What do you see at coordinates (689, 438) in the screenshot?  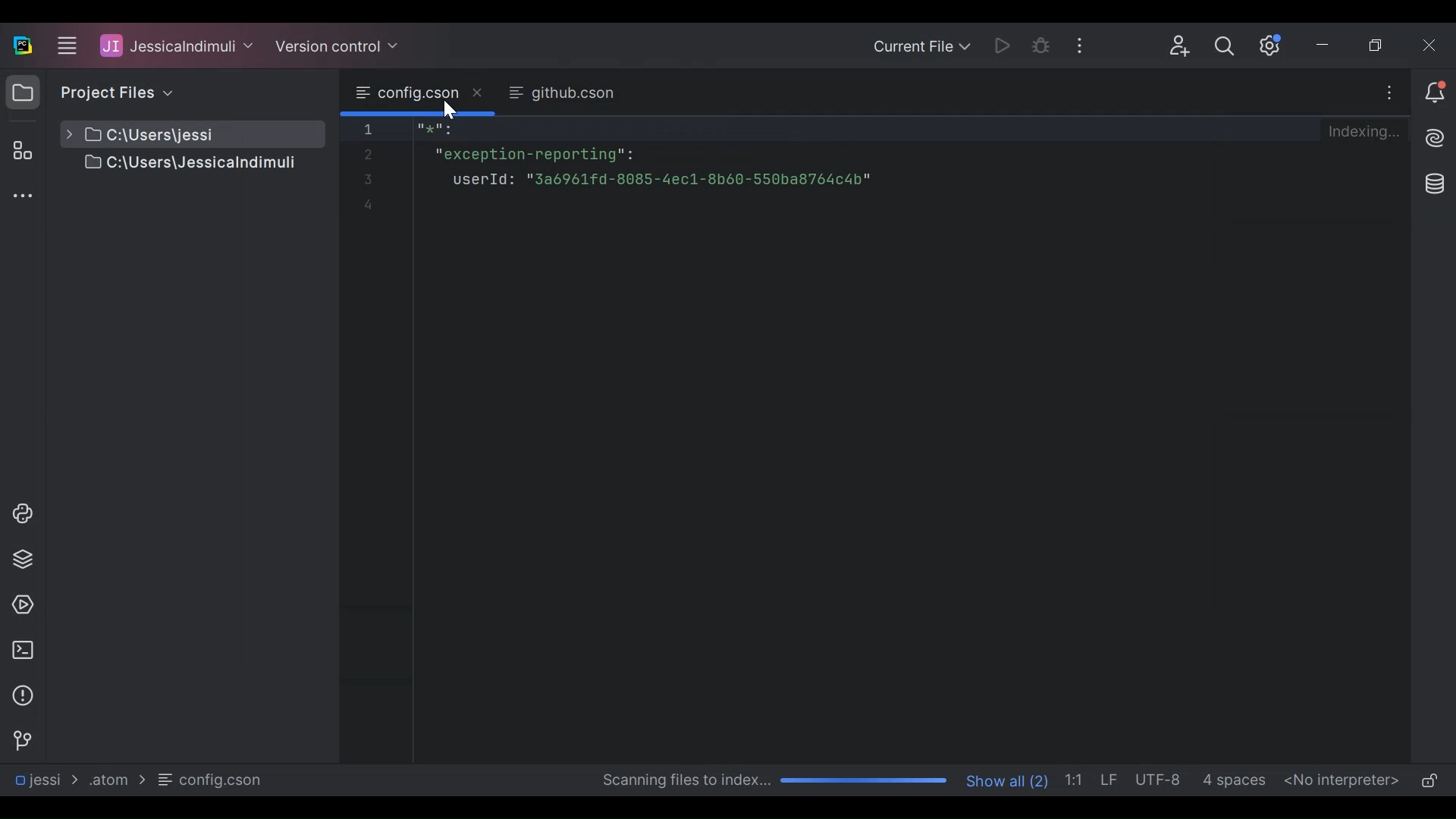 I see `Editor` at bounding box center [689, 438].